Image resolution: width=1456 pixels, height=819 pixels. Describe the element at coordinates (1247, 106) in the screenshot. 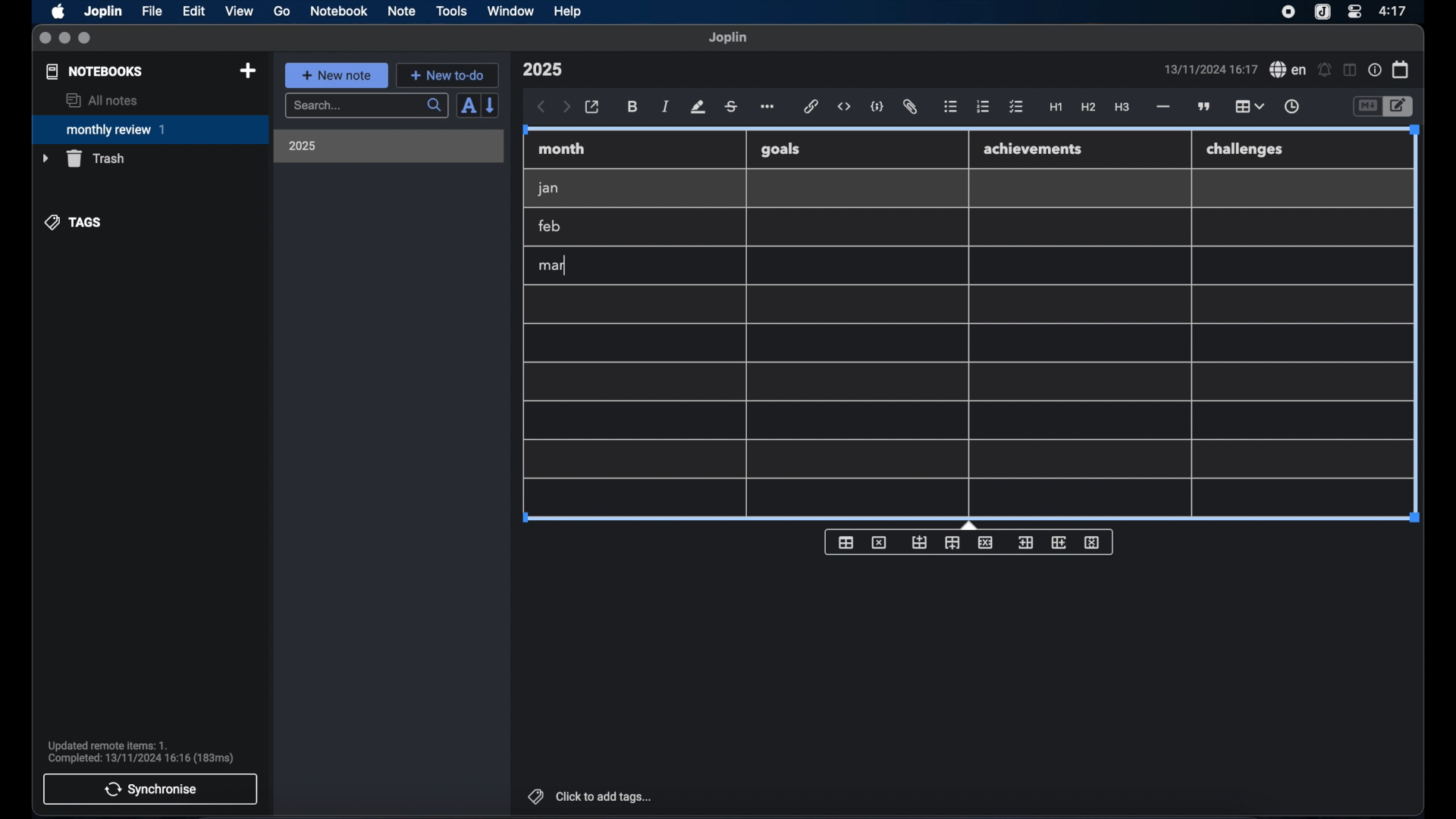

I see `table highlighted` at that location.